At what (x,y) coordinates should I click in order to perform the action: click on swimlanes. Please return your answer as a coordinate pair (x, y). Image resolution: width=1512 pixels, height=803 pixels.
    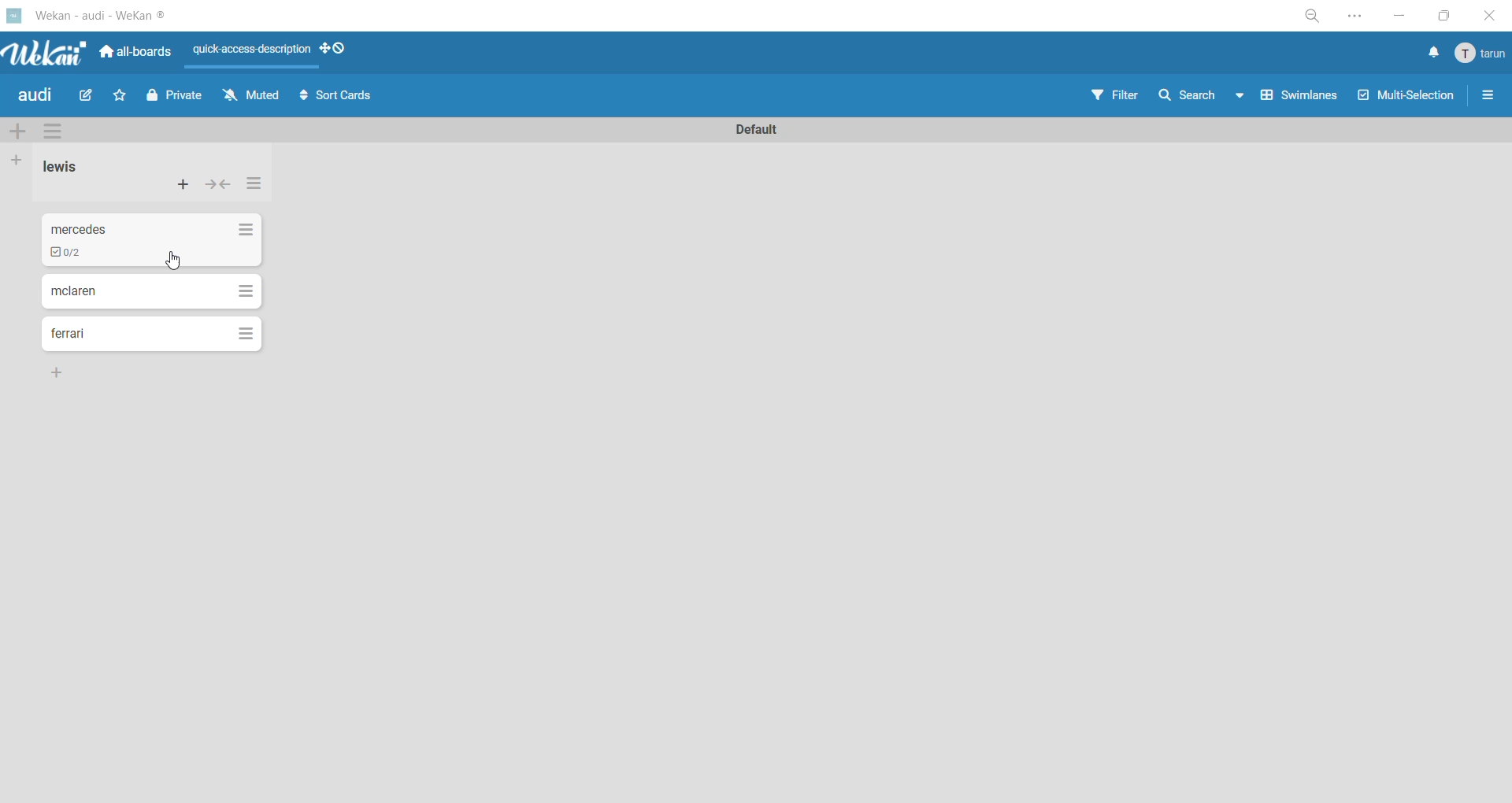
    Looking at the image, I should click on (1300, 94).